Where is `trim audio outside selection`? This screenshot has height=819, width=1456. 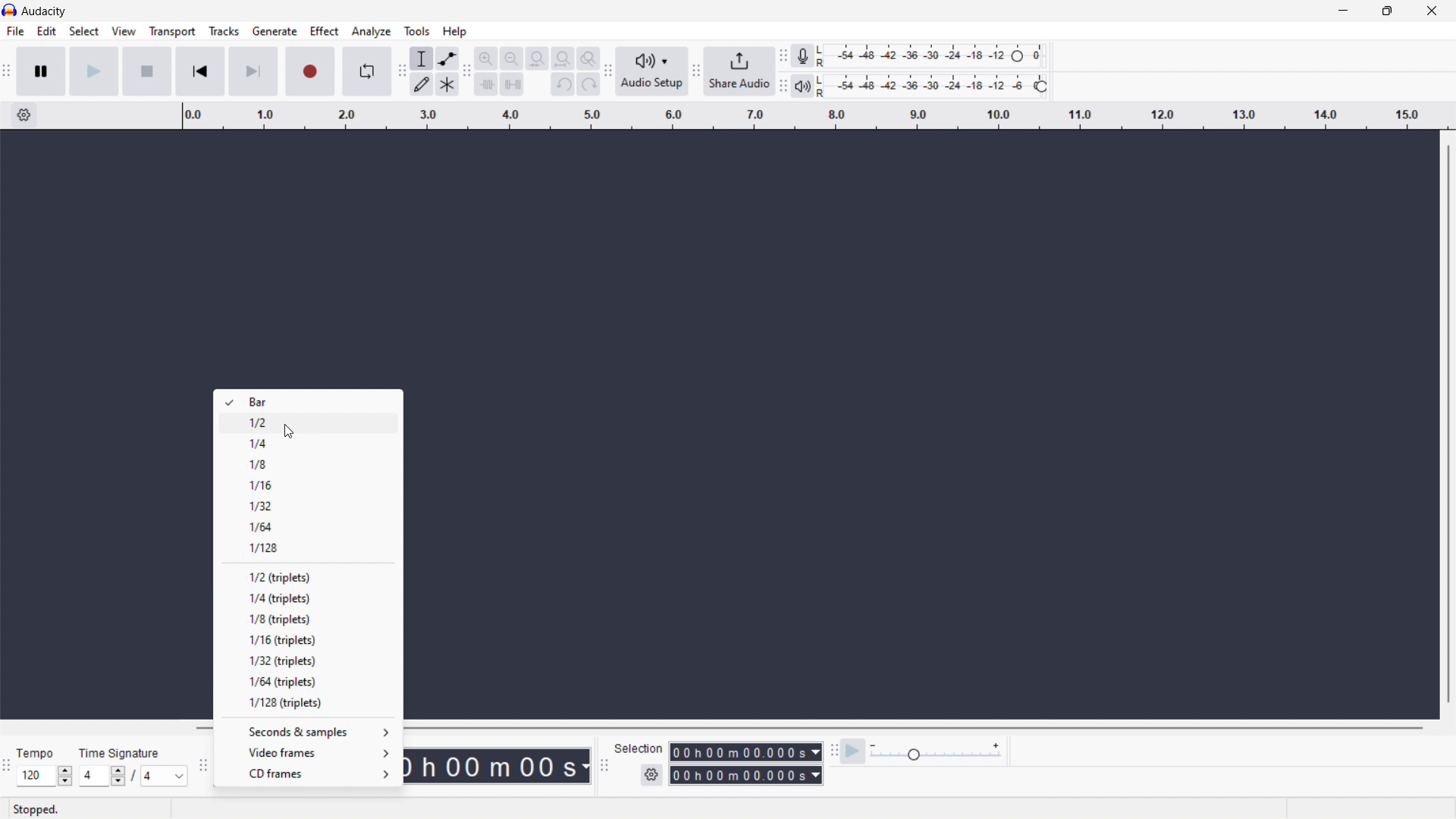 trim audio outside selection is located at coordinates (487, 83).